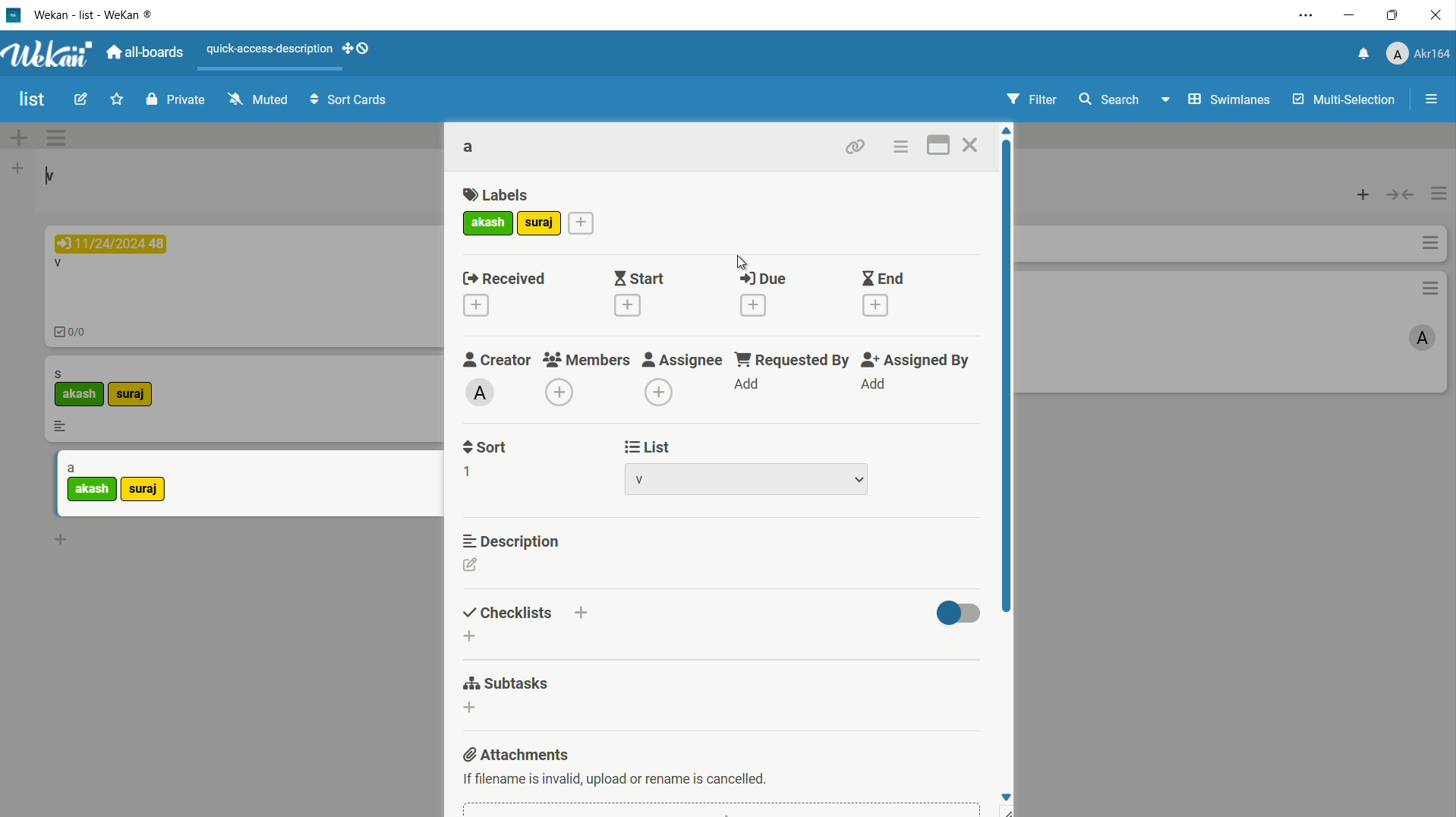 Image resolution: width=1456 pixels, height=817 pixels. I want to click on add end date, so click(878, 304).